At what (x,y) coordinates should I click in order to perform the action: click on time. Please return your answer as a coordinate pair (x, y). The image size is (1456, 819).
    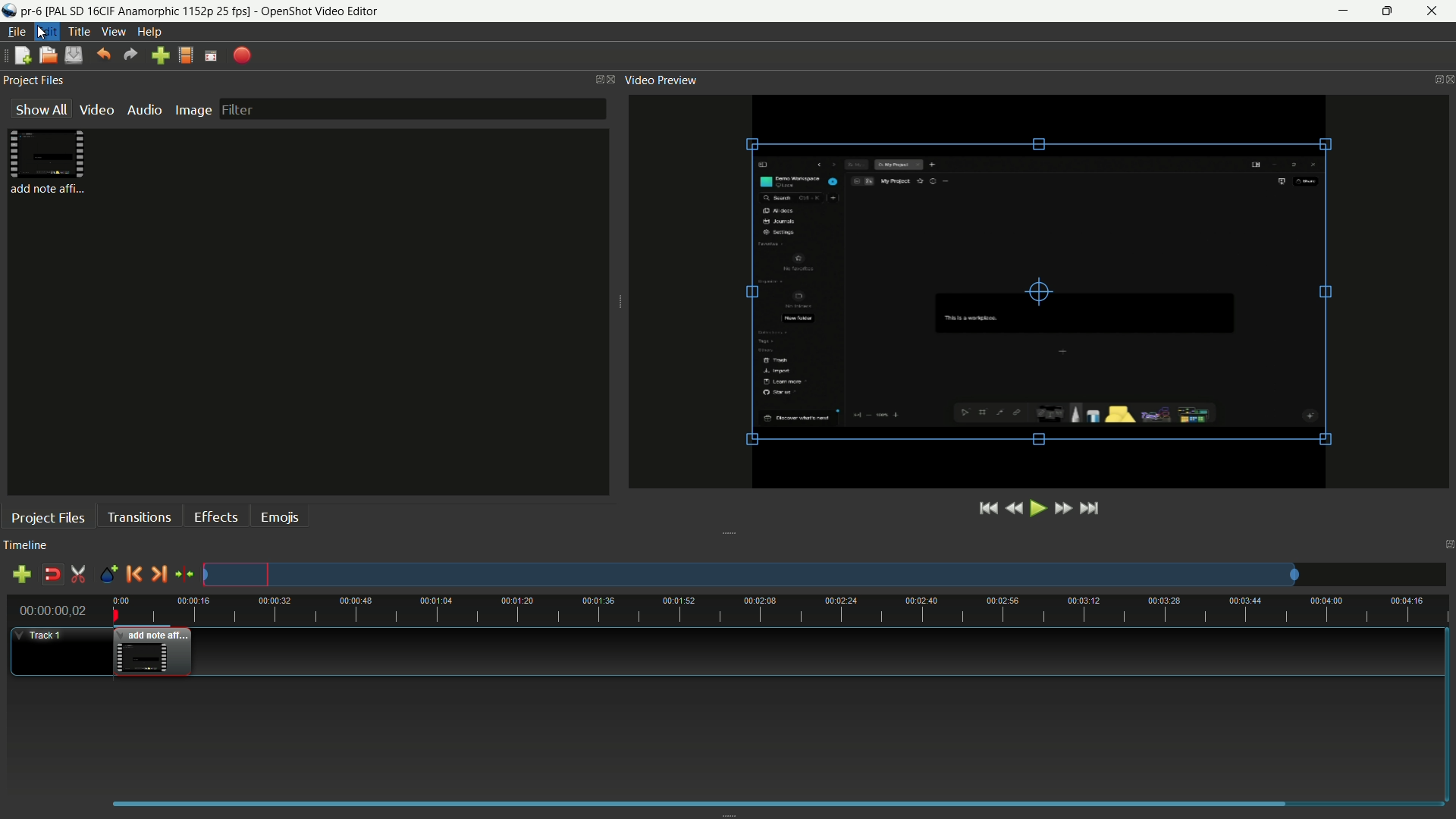
    Looking at the image, I should click on (779, 610).